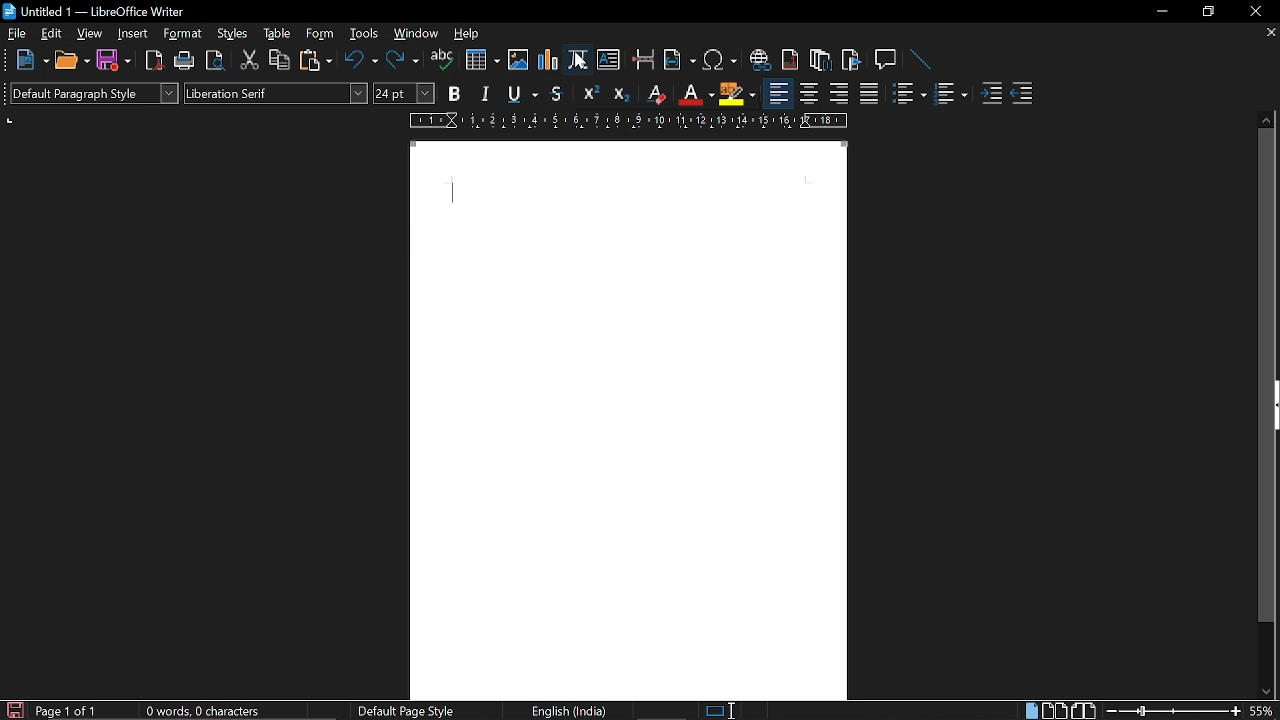  What do you see at coordinates (482, 59) in the screenshot?
I see `insert table` at bounding box center [482, 59].